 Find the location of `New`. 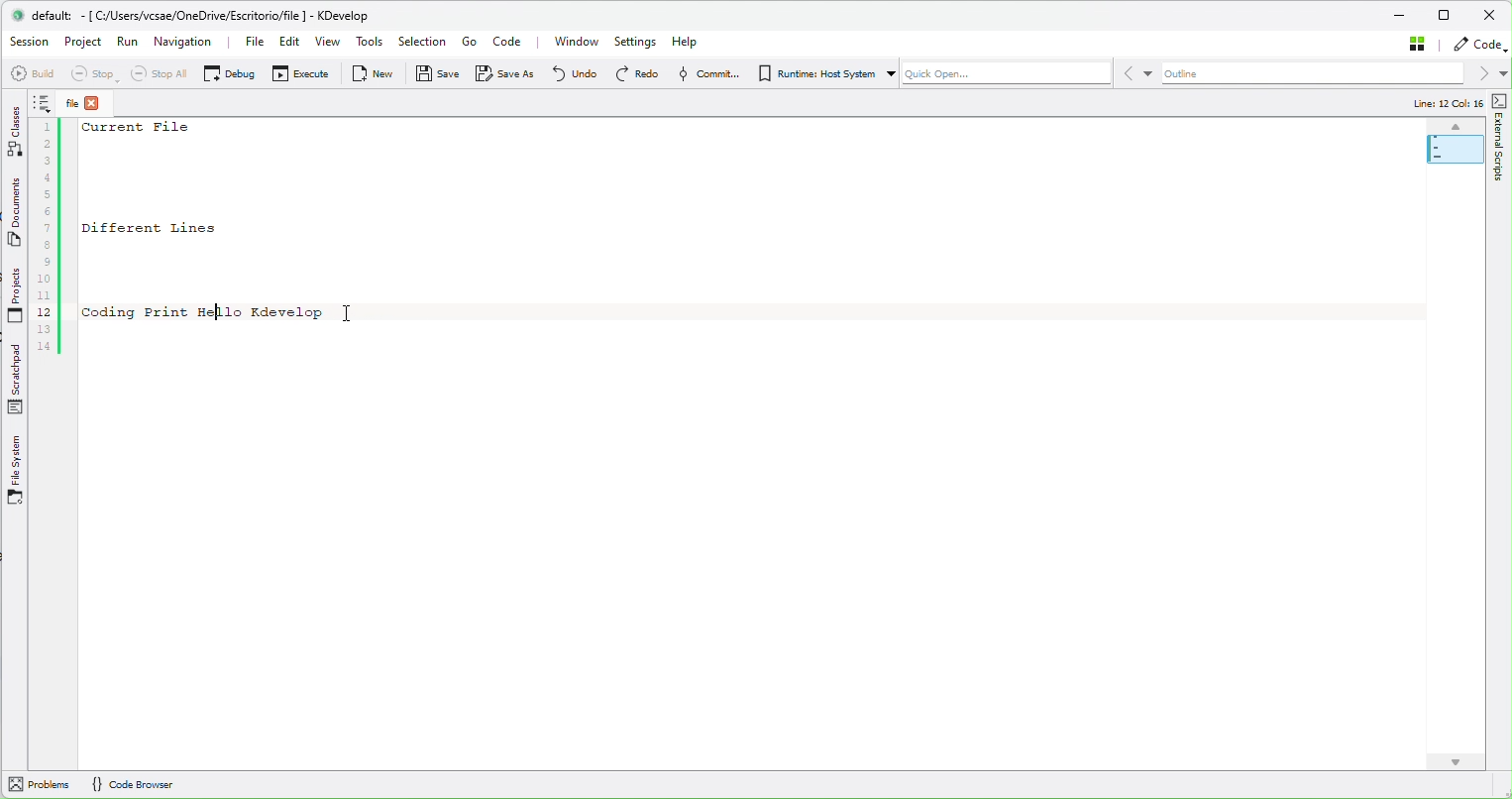

New is located at coordinates (368, 72).